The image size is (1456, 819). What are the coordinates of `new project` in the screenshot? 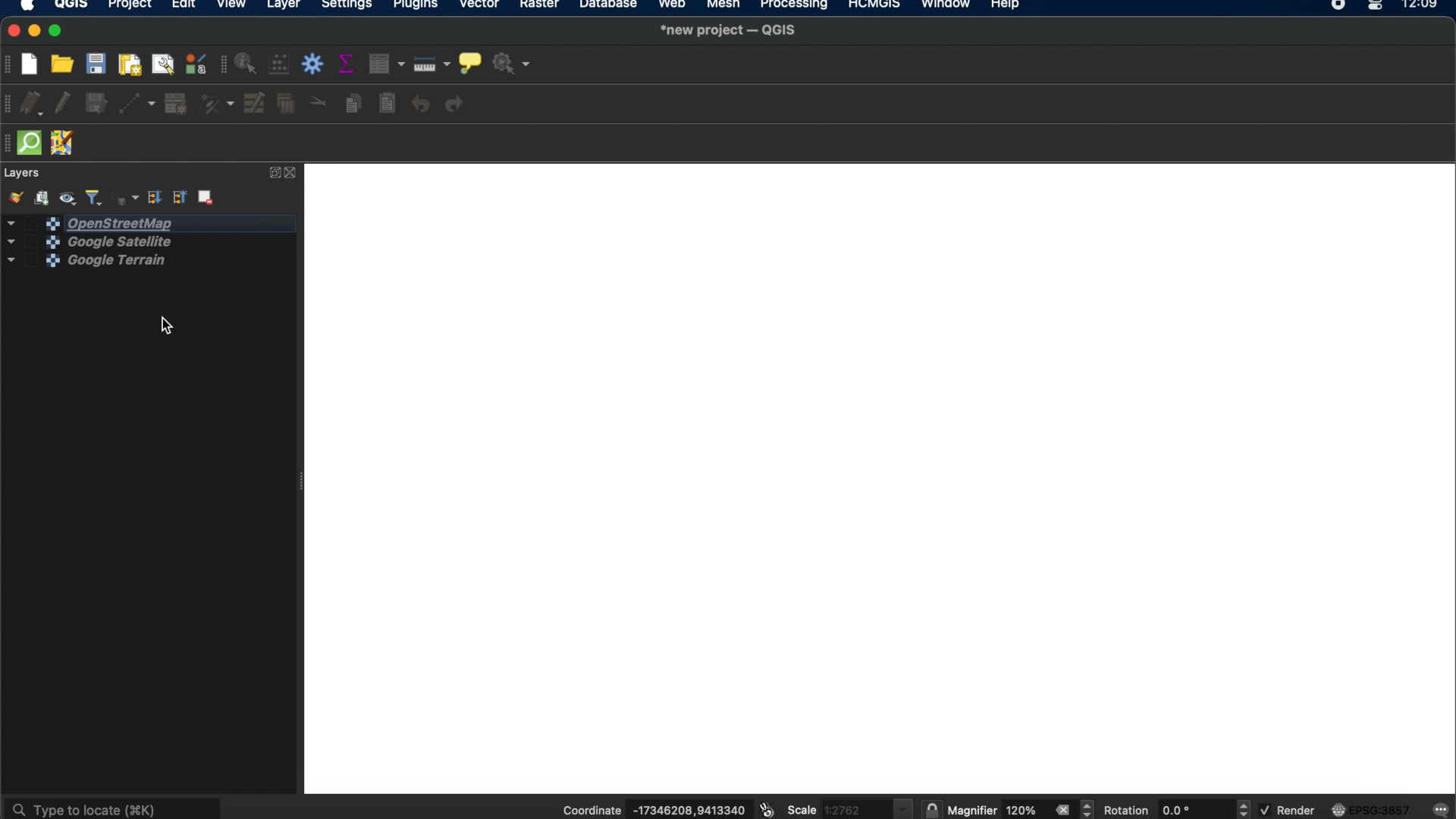 It's located at (34, 62).